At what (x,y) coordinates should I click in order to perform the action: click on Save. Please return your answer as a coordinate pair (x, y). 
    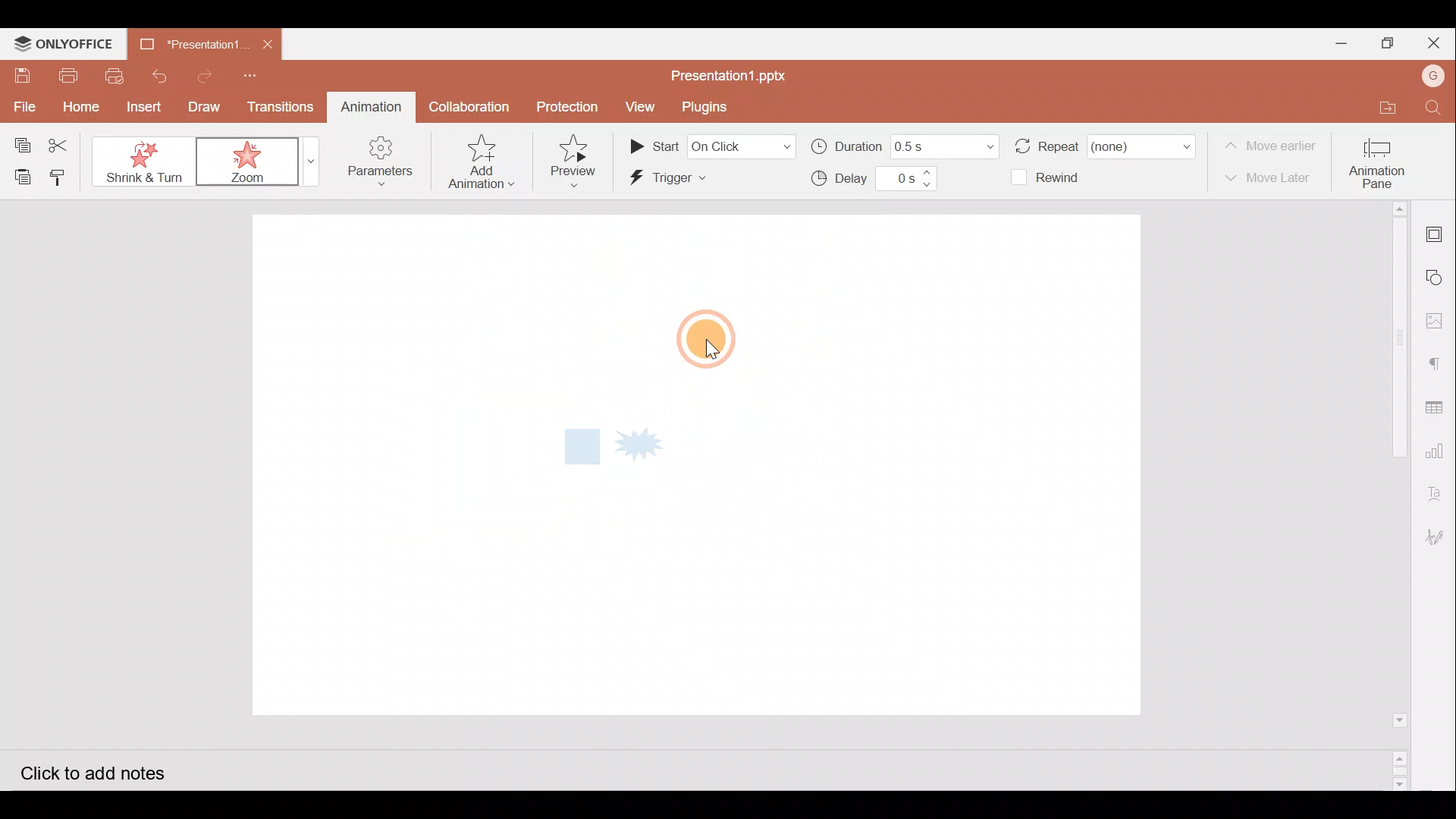
    Looking at the image, I should click on (22, 76).